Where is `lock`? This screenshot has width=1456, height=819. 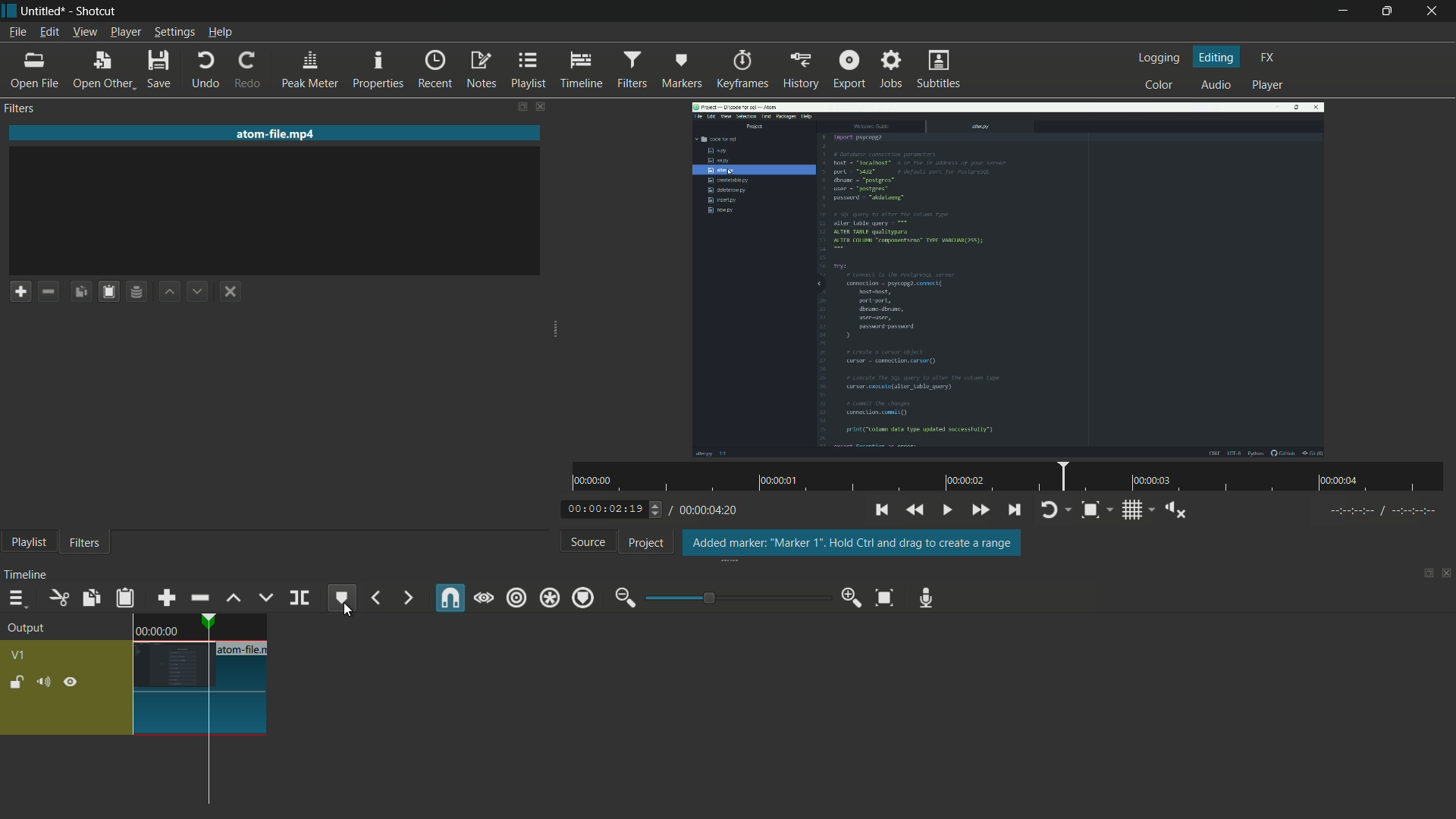 lock is located at coordinates (13, 682).